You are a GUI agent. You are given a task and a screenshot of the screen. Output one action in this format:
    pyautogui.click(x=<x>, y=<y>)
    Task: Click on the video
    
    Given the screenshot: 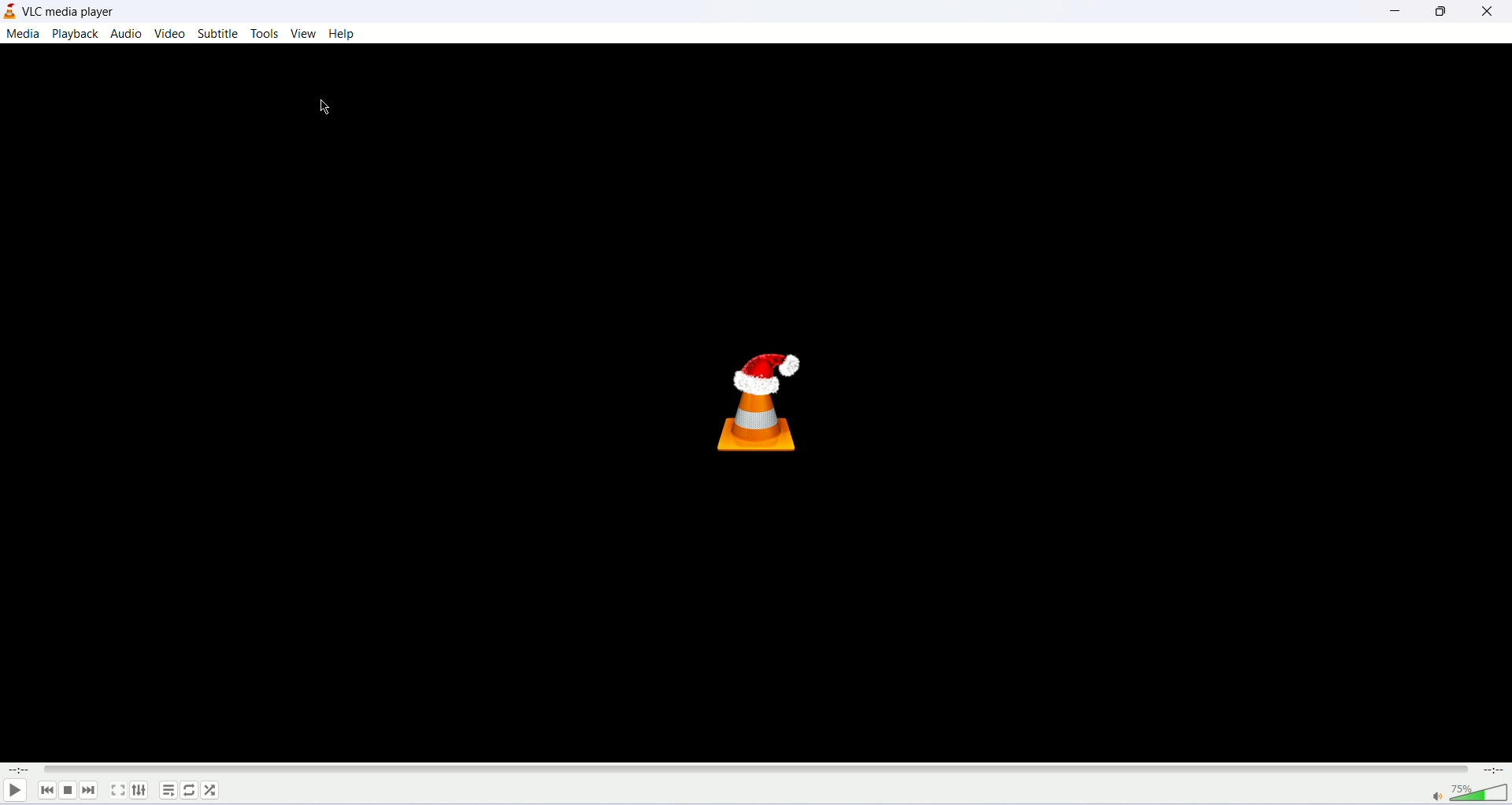 What is the action you would take?
    pyautogui.click(x=169, y=34)
    